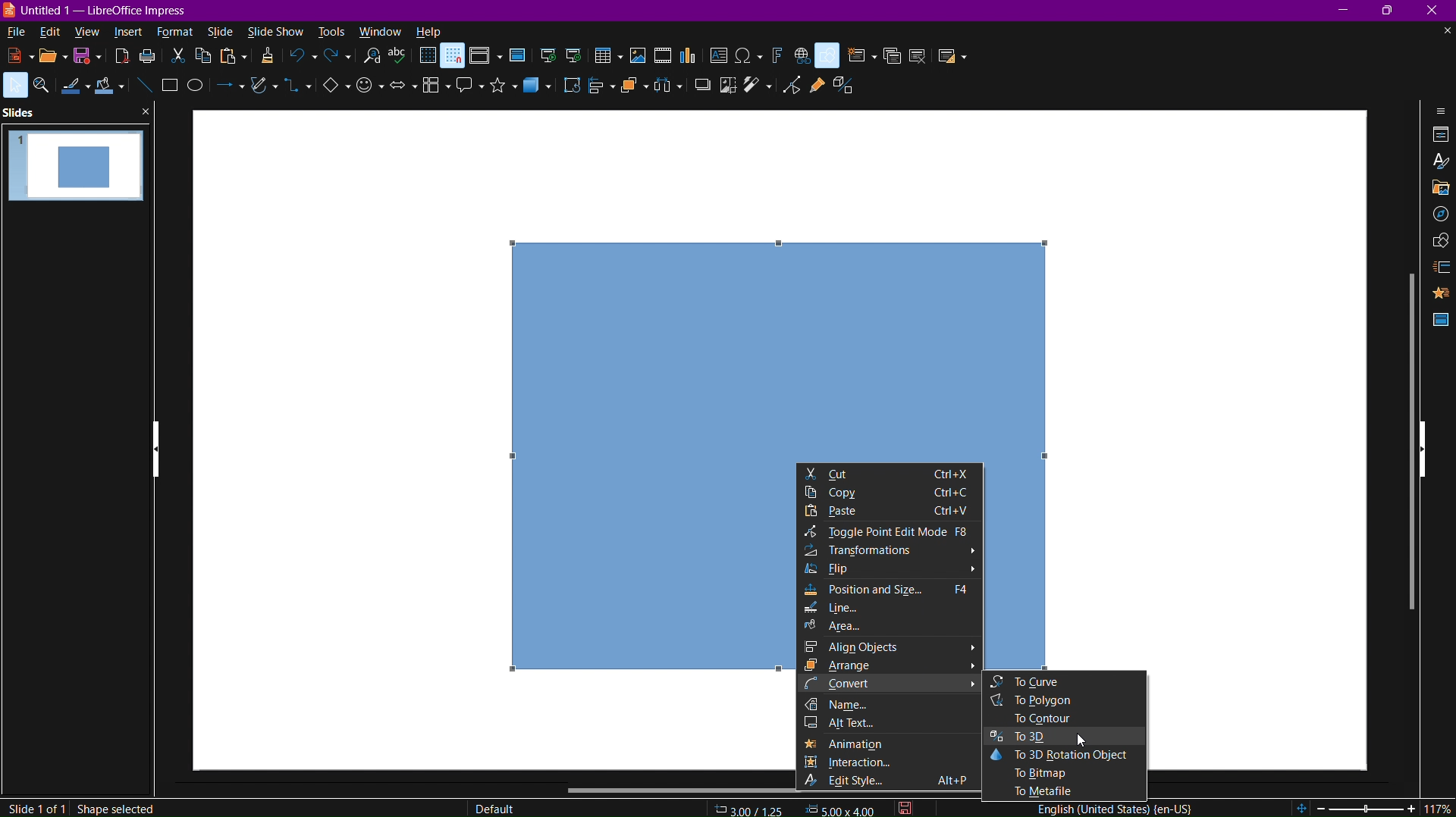 This screenshot has height=817, width=1456. I want to click on Start from First Slide, so click(548, 56).